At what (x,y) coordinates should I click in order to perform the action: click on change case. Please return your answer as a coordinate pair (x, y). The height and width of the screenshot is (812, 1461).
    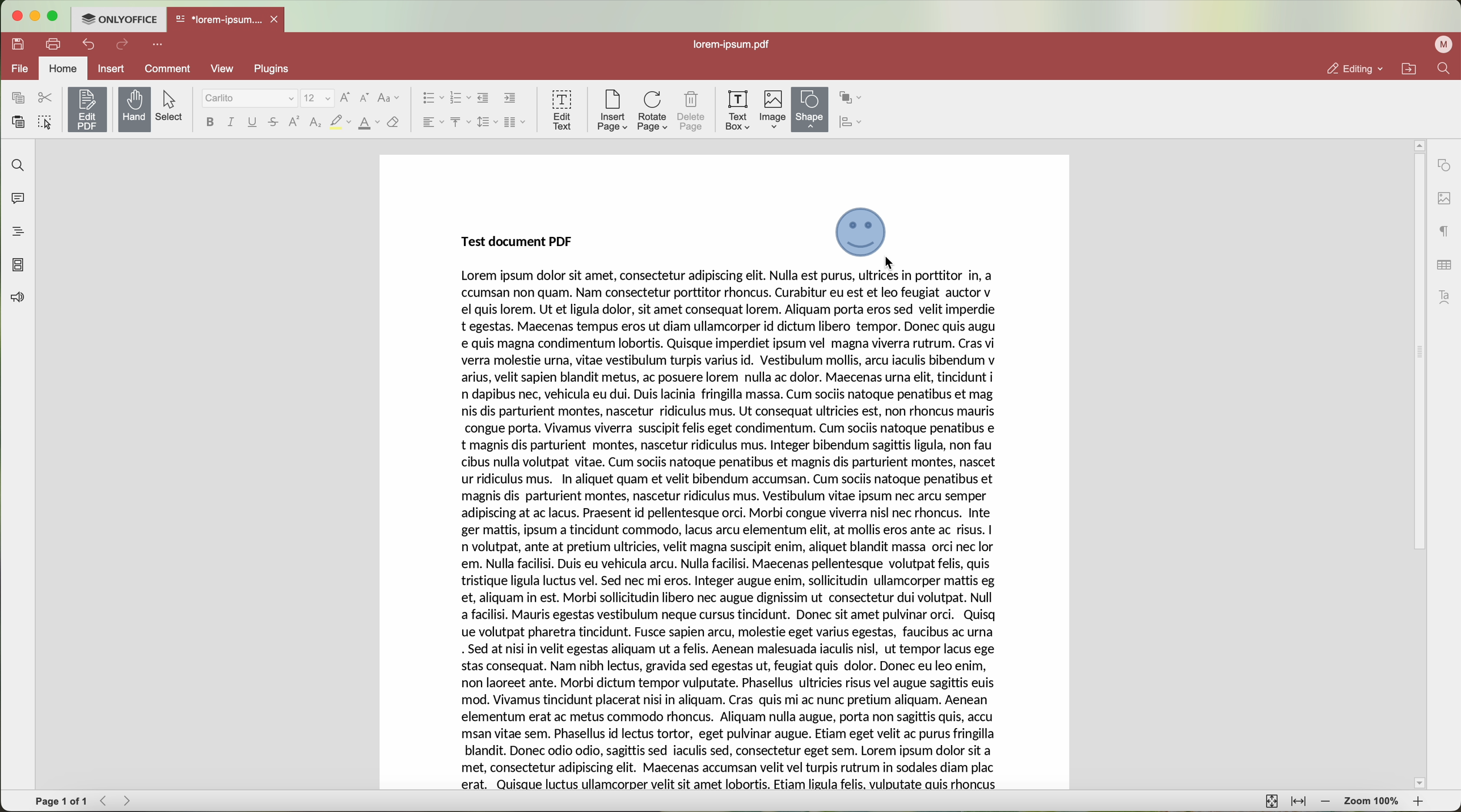
    Looking at the image, I should click on (389, 98).